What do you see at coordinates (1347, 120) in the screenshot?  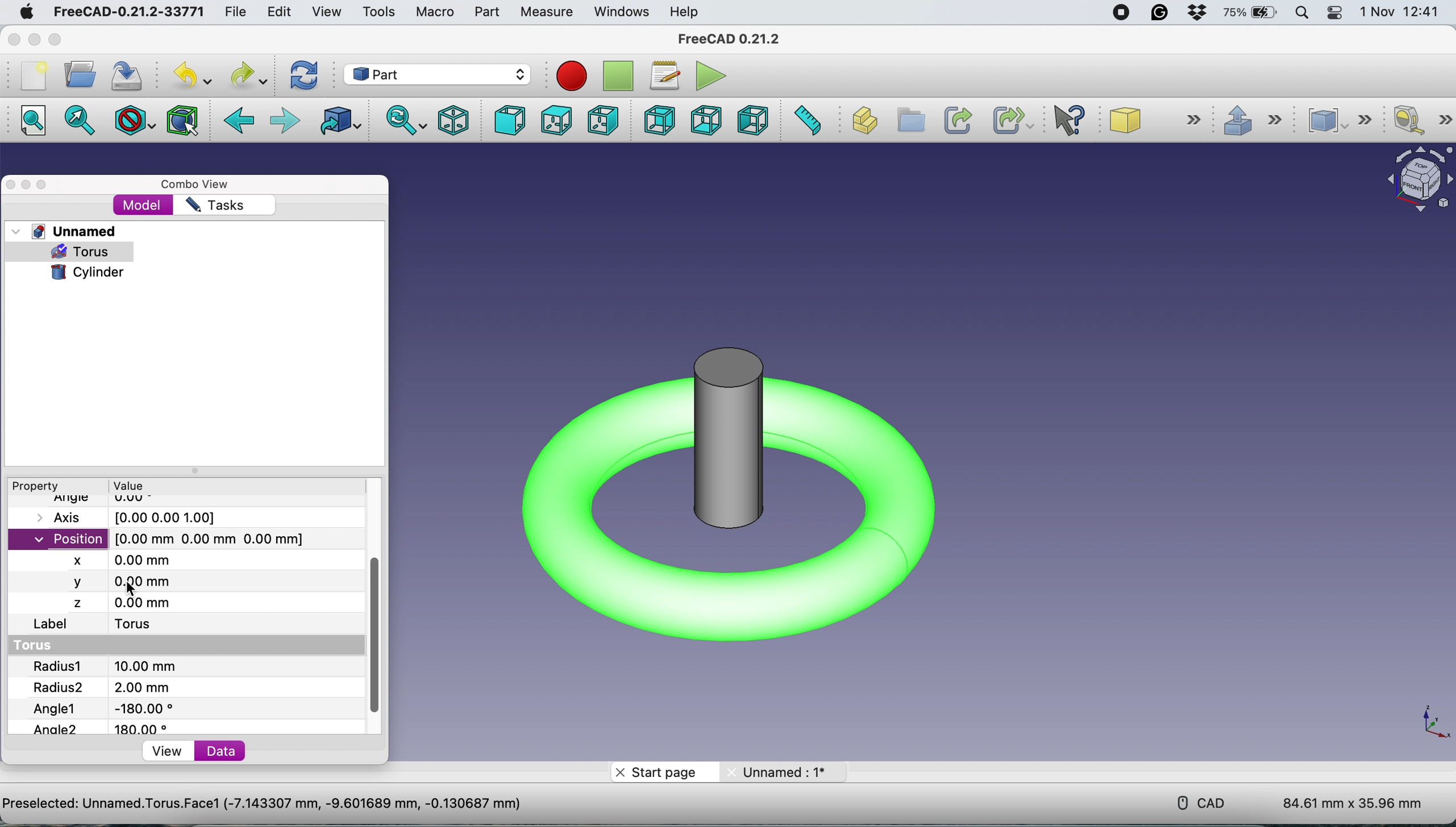 I see `compound tools` at bounding box center [1347, 120].